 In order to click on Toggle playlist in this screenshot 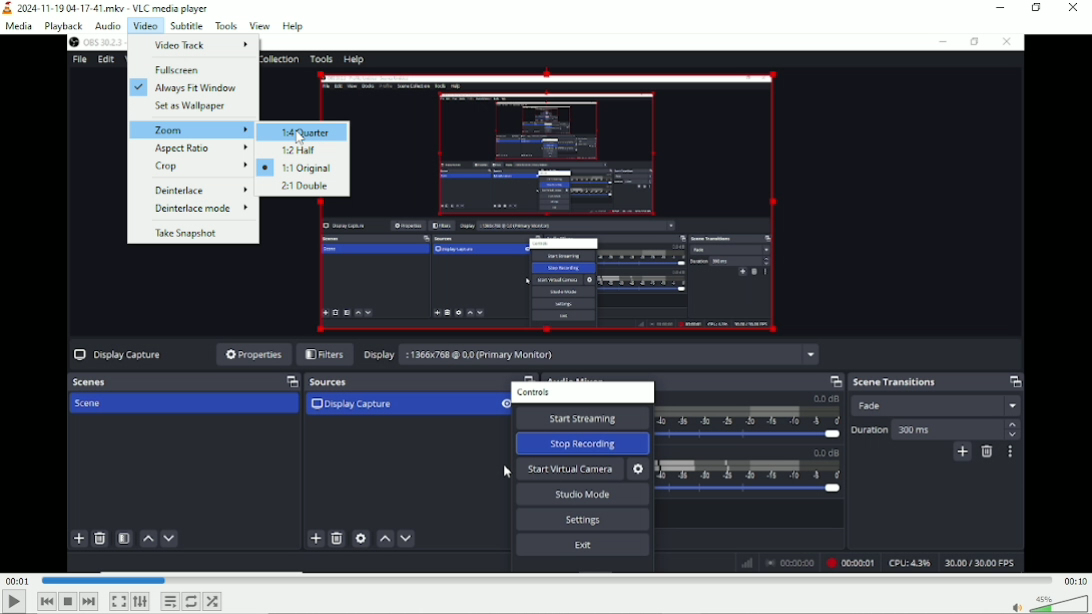, I will do `click(170, 601)`.